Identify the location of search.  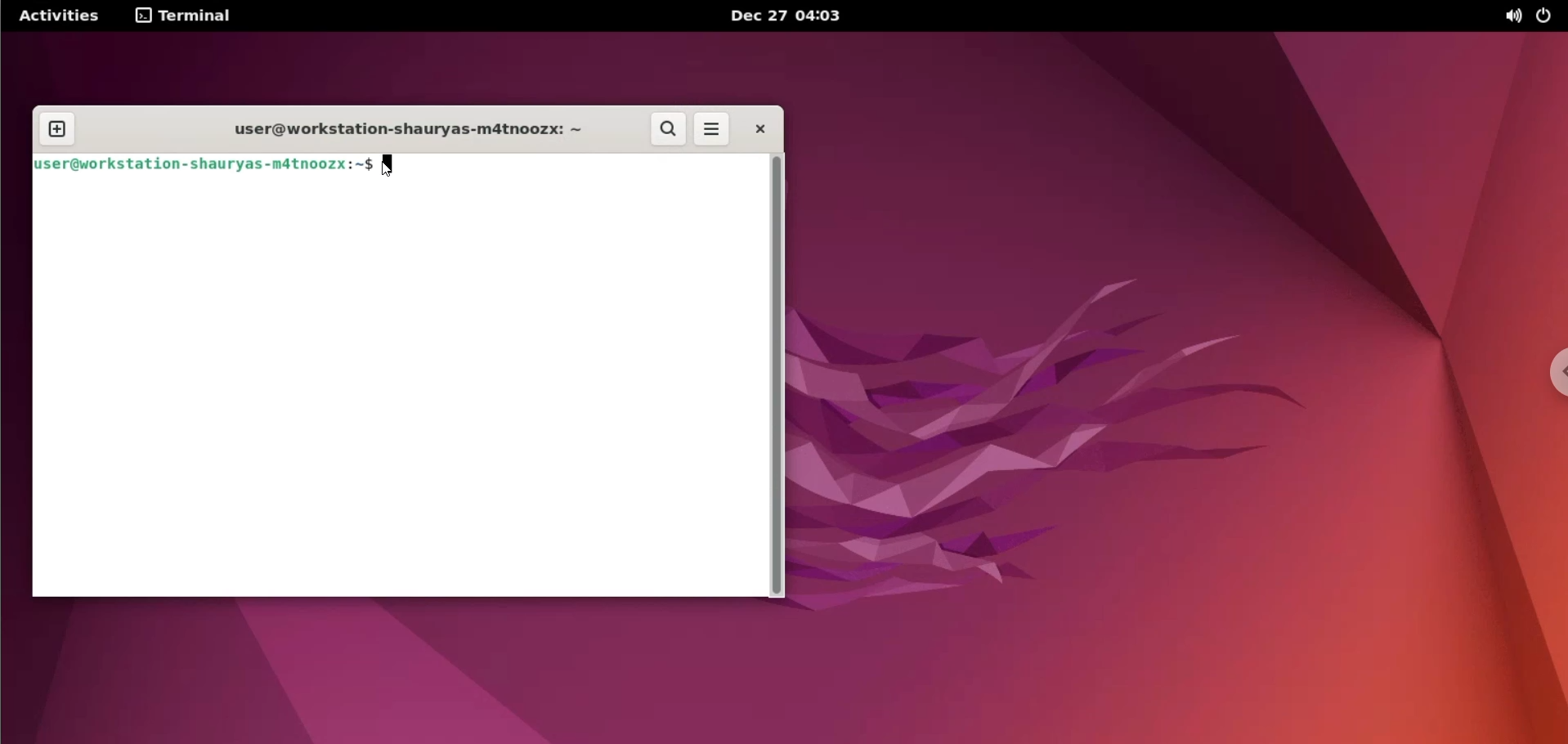
(669, 130).